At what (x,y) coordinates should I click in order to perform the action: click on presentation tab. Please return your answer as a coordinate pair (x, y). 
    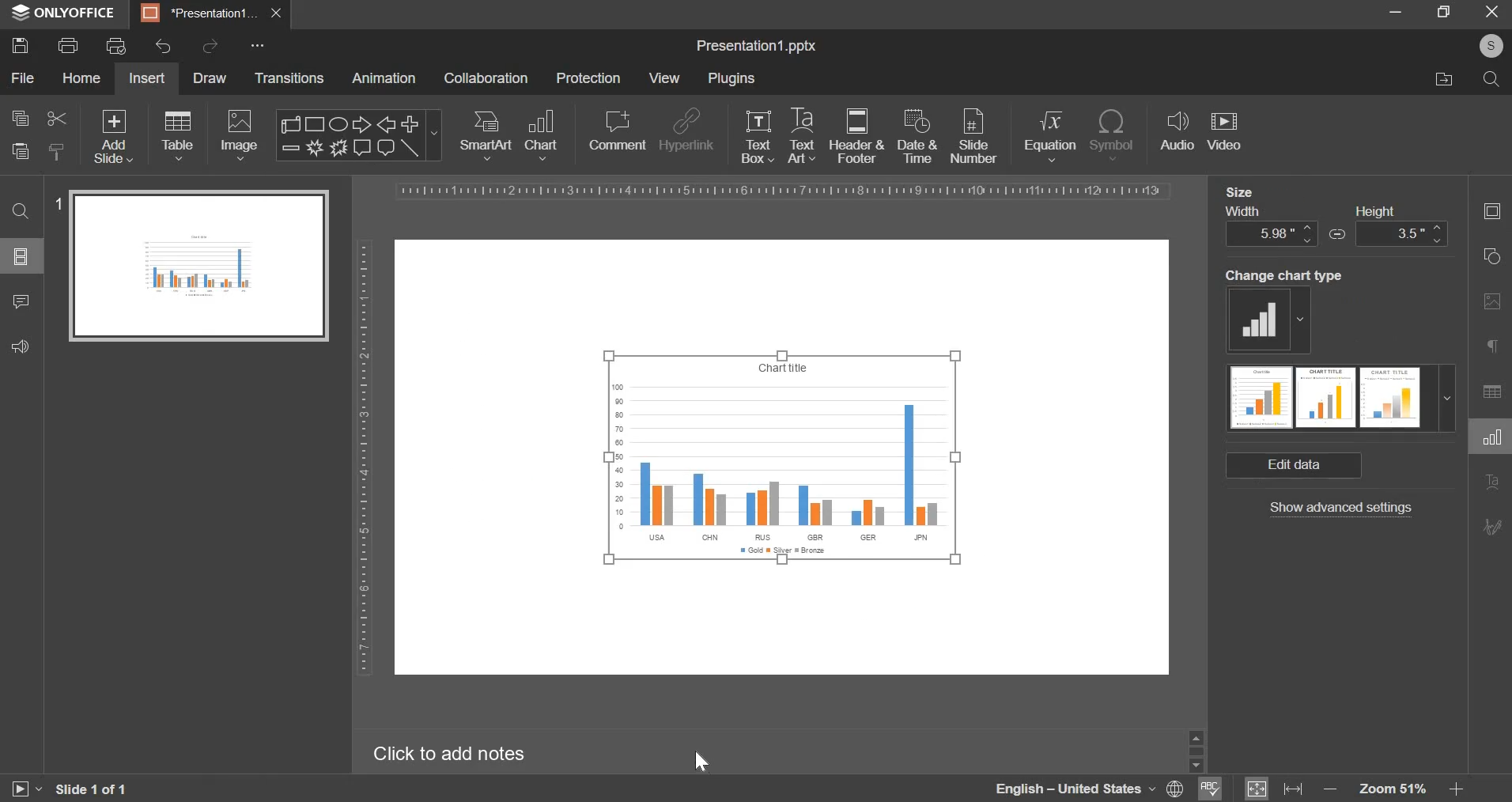
    Looking at the image, I should click on (202, 13).